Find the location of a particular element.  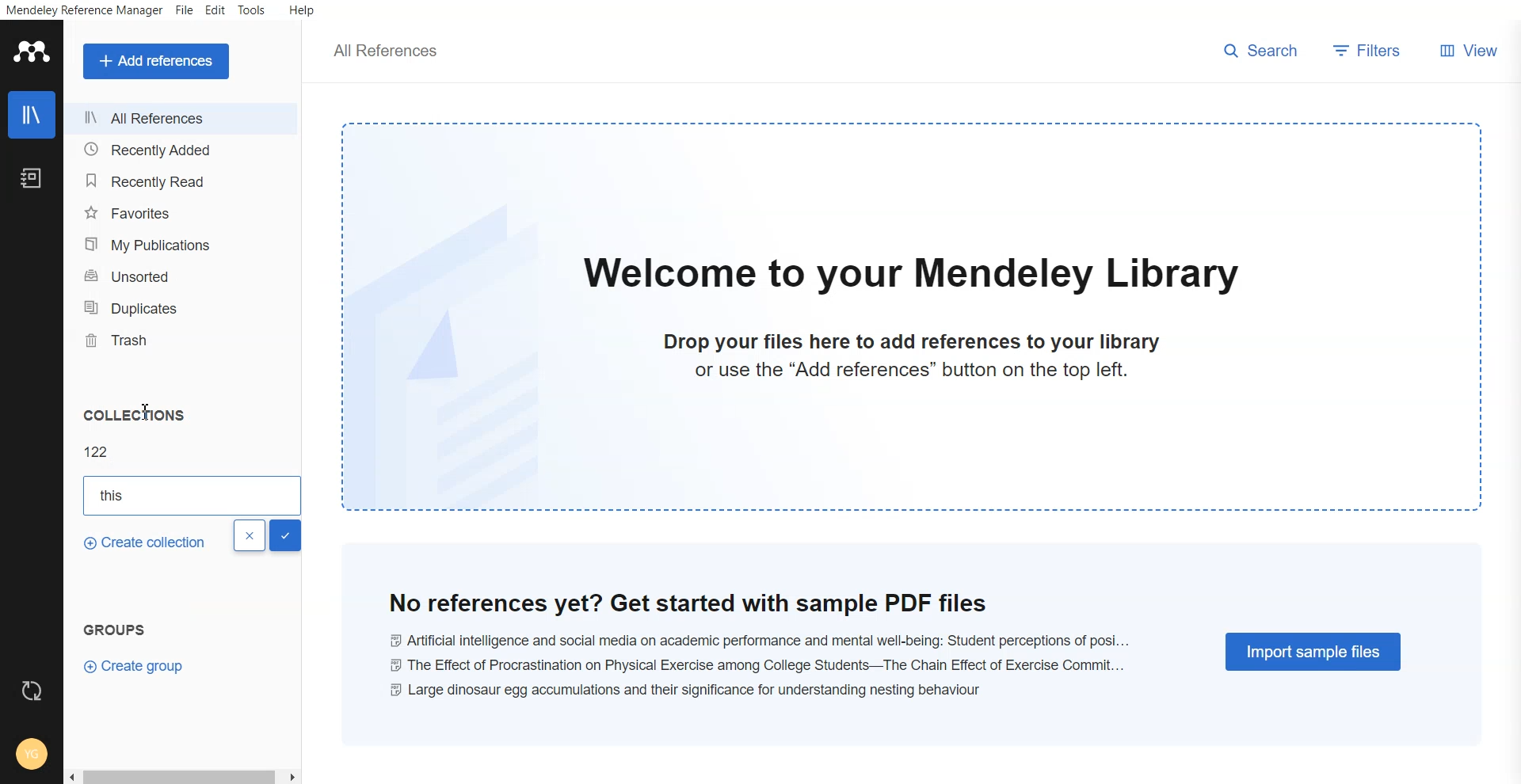

File is located at coordinates (185, 10).